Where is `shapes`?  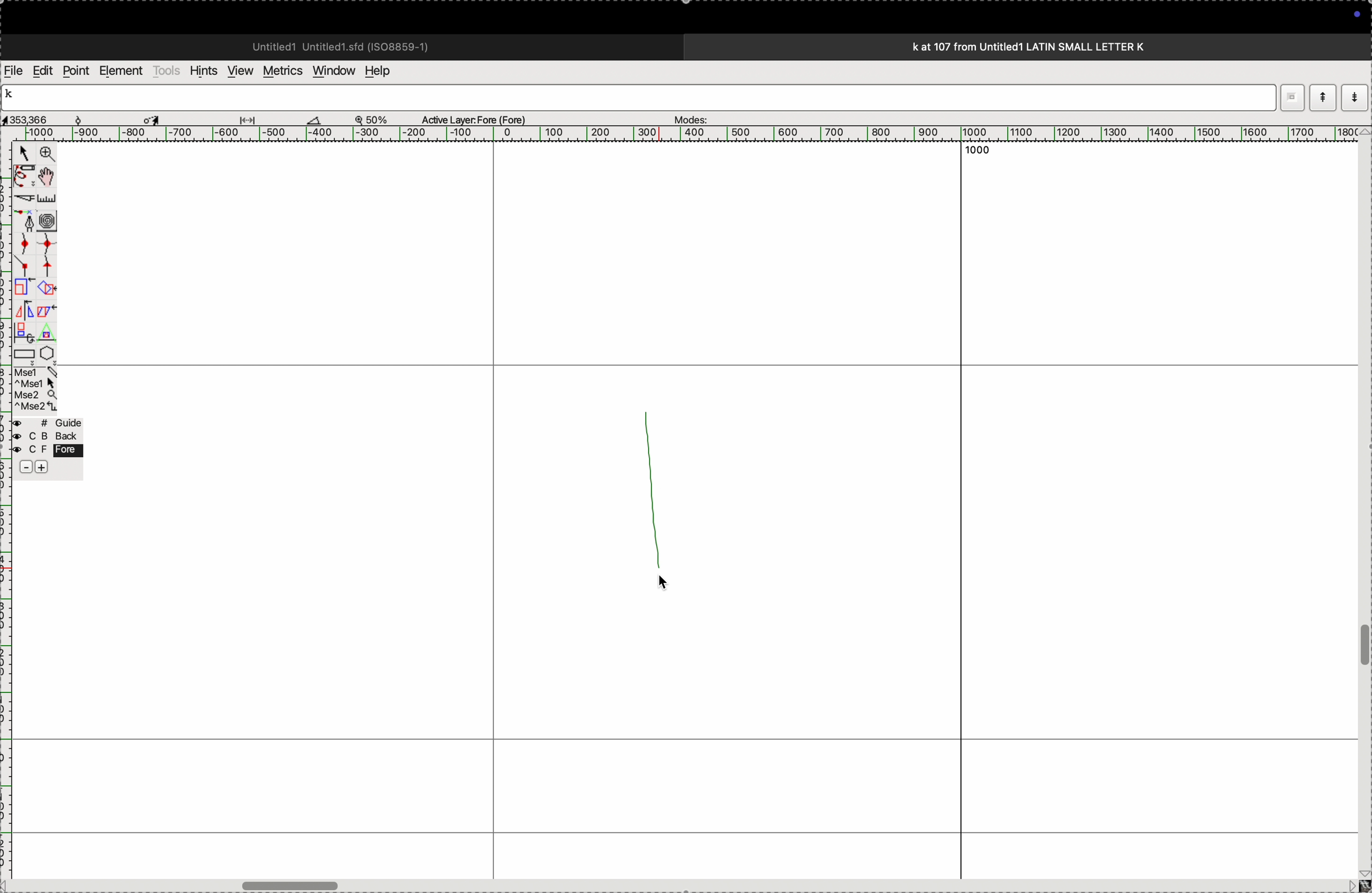
shapes is located at coordinates (46, 289).